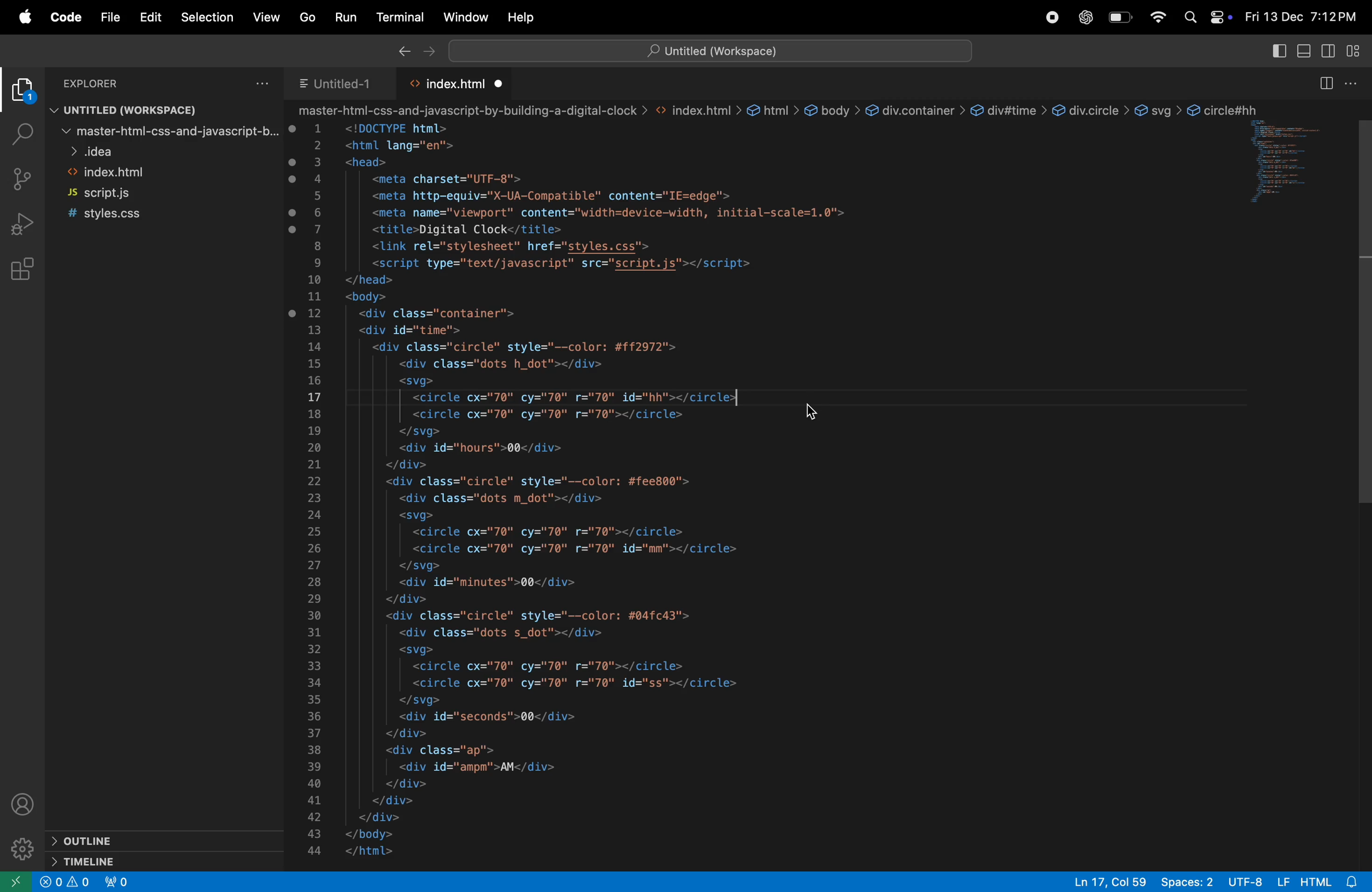  I want to click on script.js, so click(153, 194).